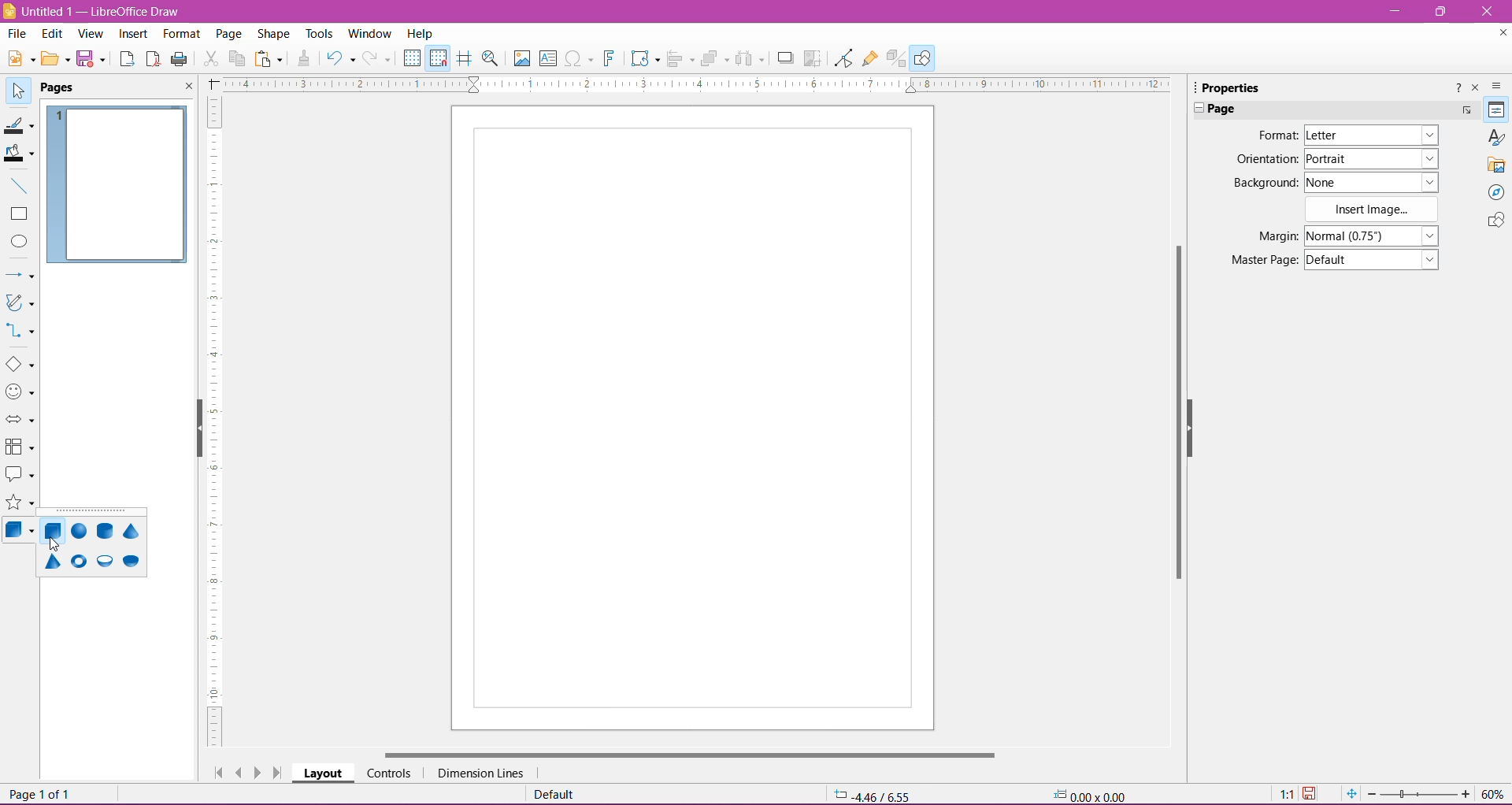 The image size is (1512, 805). Describe the element at coordinates (1228, 109) in the screenshot. I see `Page` at that location.